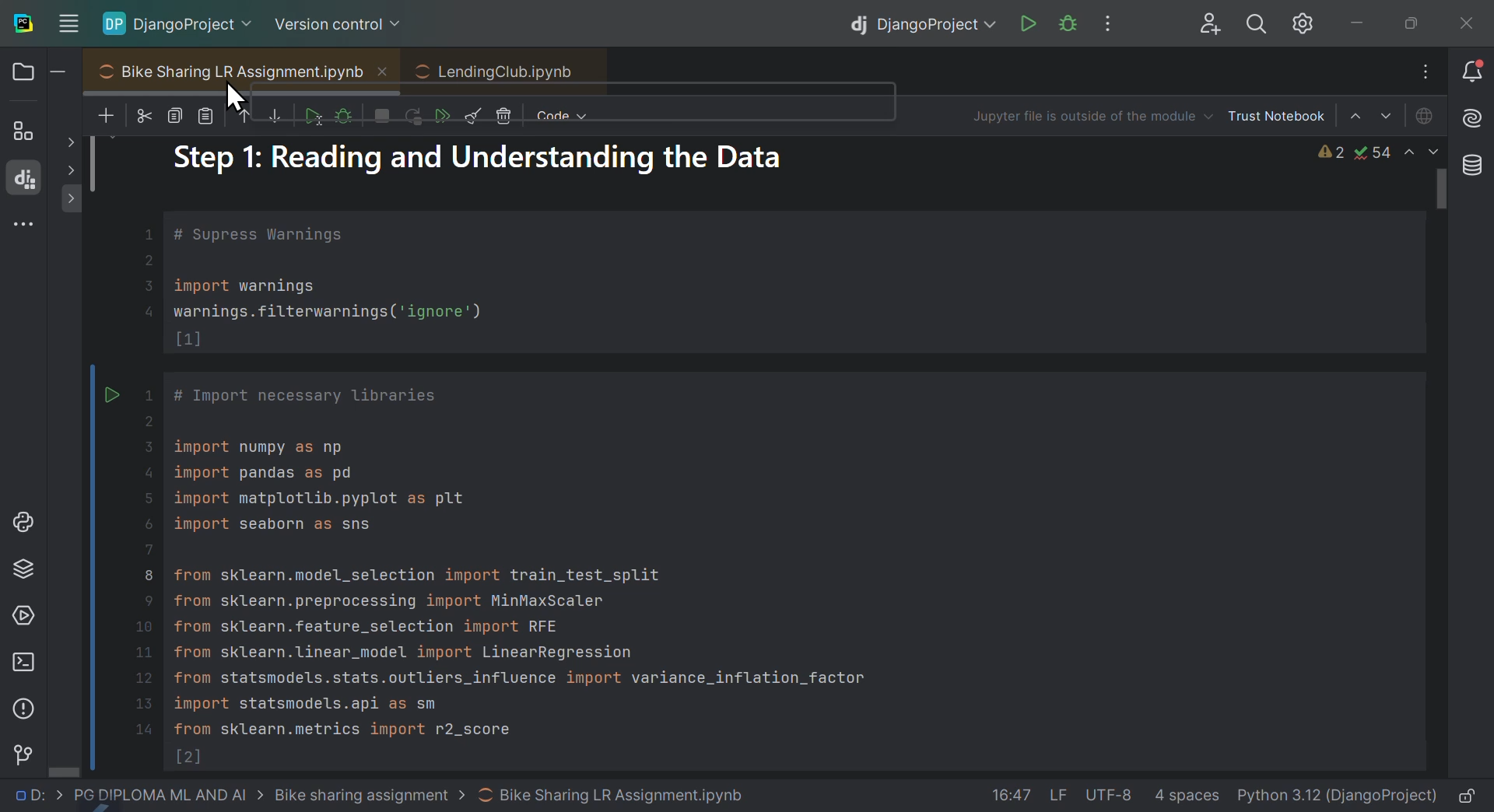  What do you see at coordinates (174, 115) in the screenshot?
I see `copy` at bounding box center [174, 115].